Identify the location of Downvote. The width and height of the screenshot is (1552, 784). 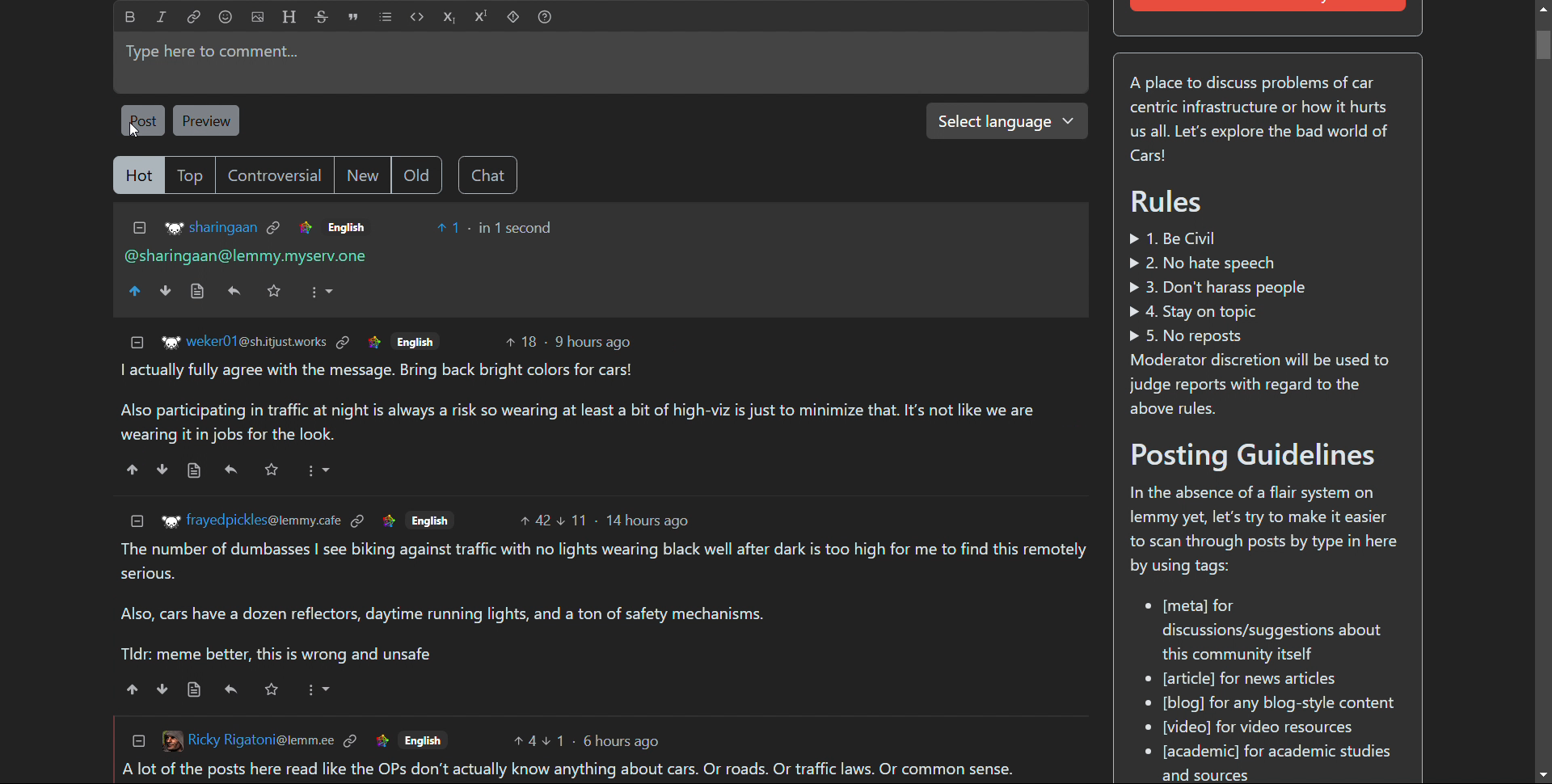
(167, 292).